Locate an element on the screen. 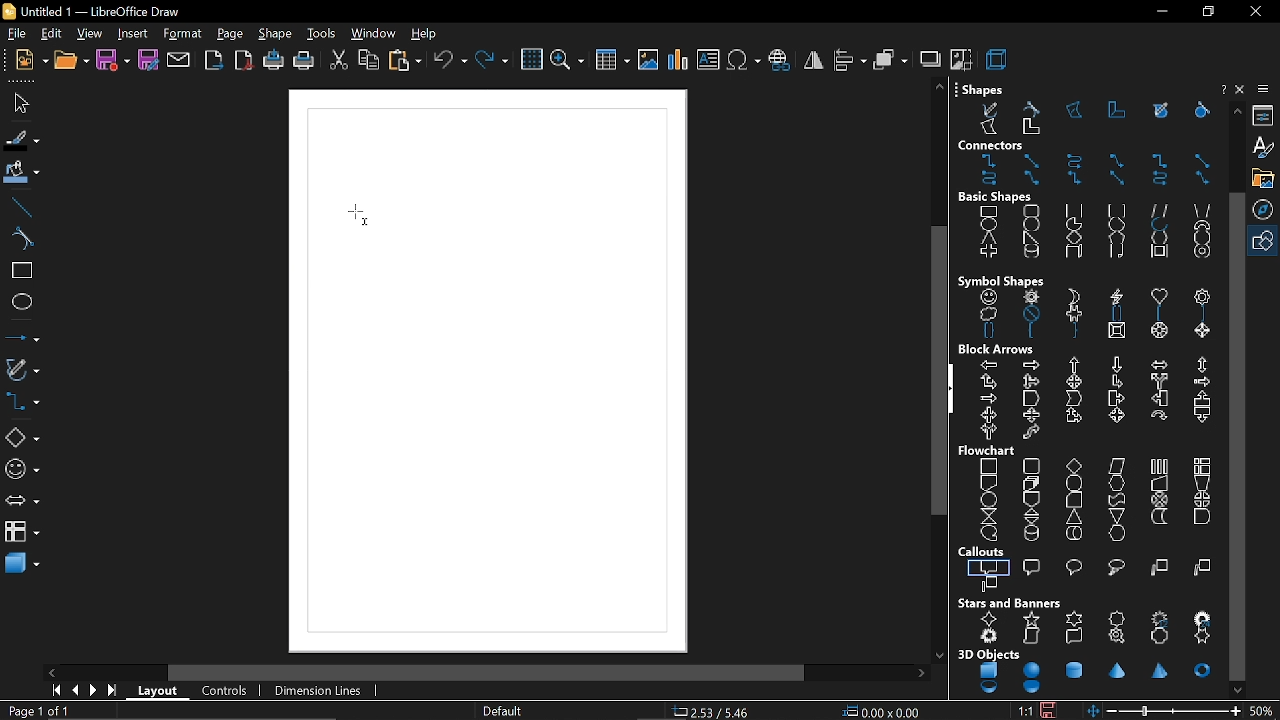  cuboid is located at coordinates (1073, 254).